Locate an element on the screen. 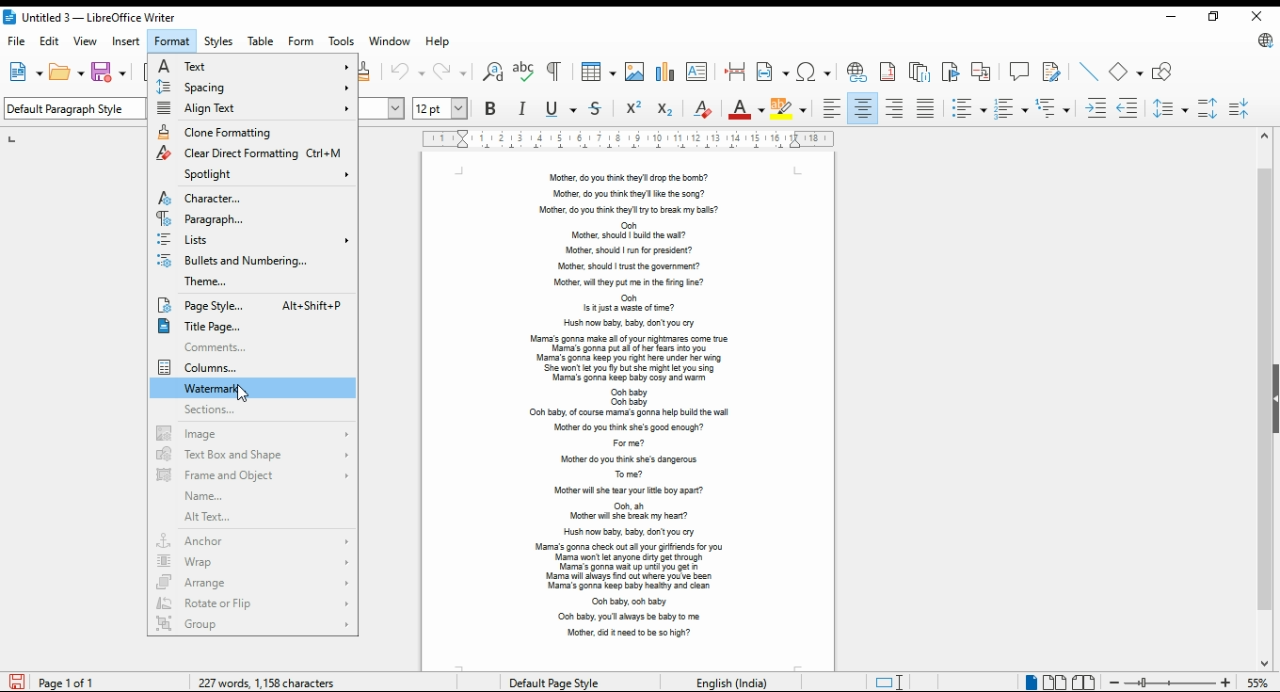 The image size is (1280, 692). group is located at coordinates (251, 623).